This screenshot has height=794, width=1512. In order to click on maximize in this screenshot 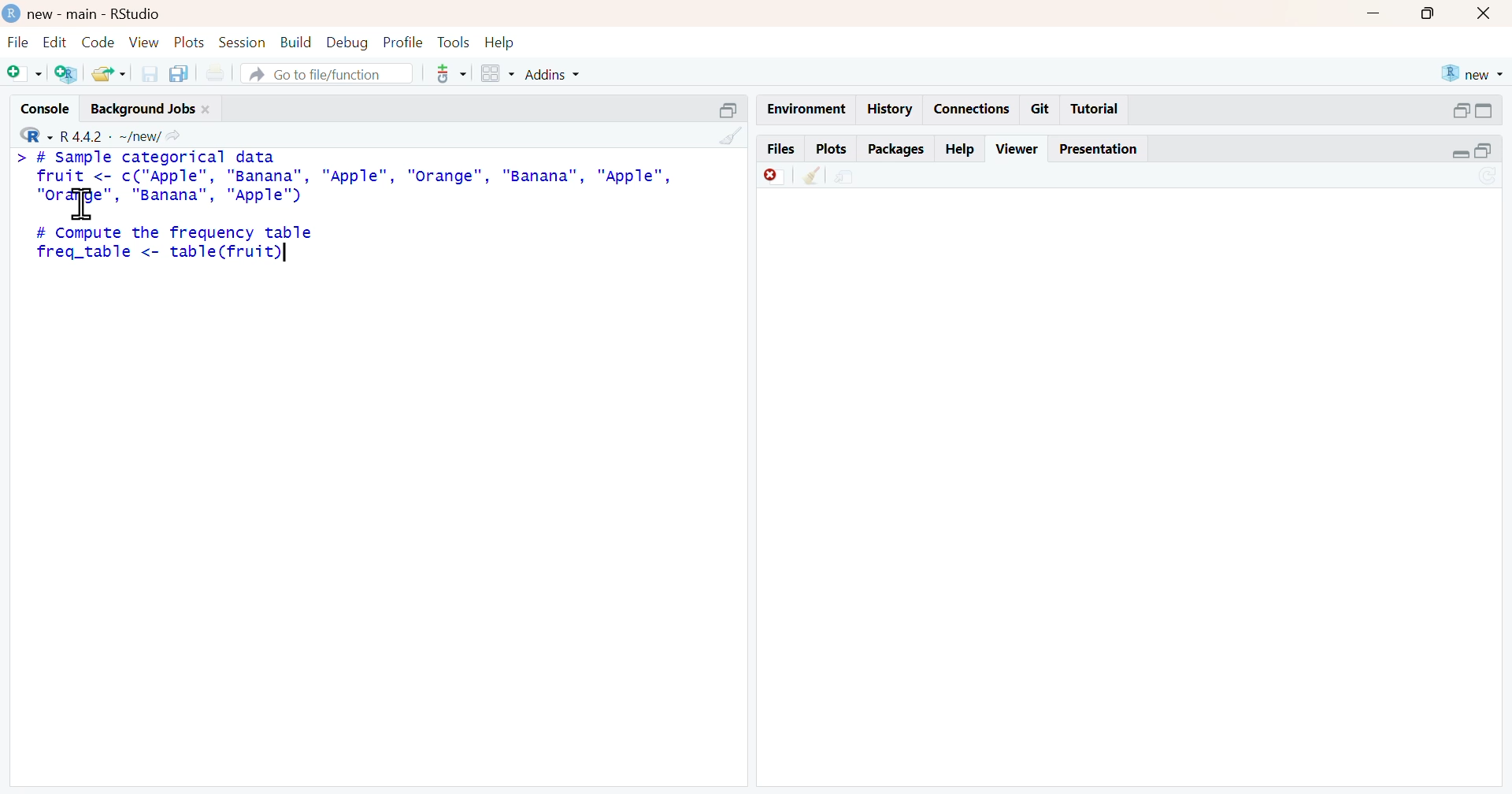, I will do `click(1421, 14)`.